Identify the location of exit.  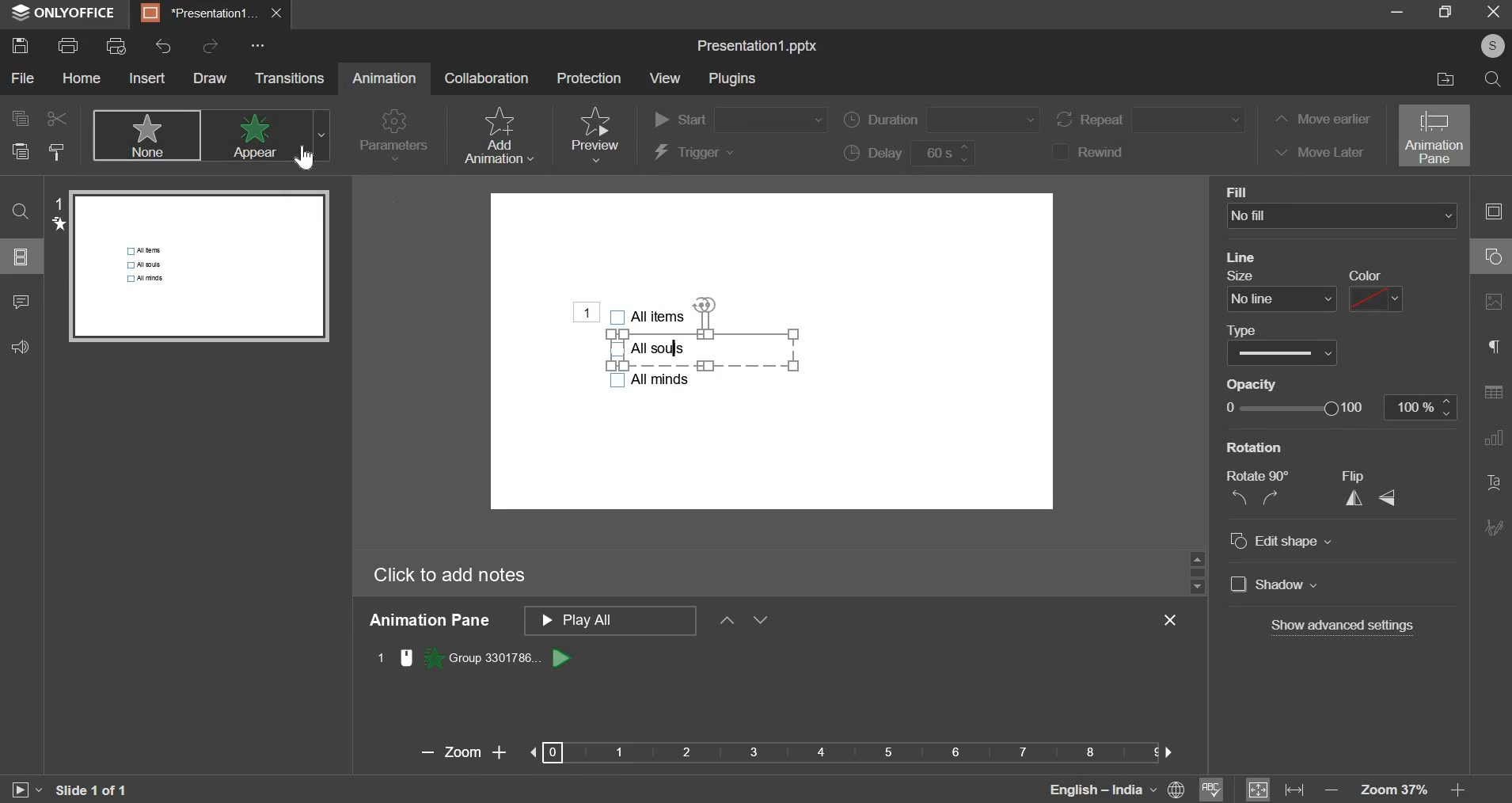
(1170, 619).